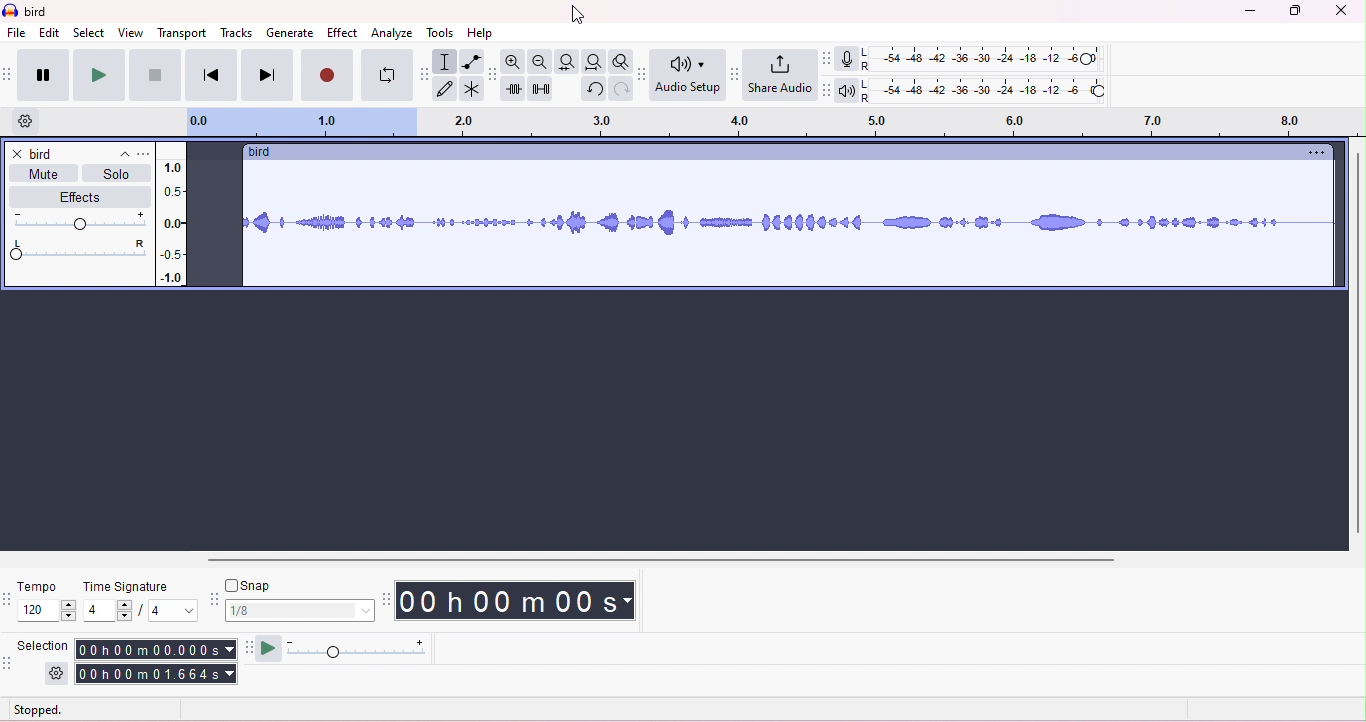 This screenshot has height=722, width=1366. I want to click on playback meter, so click(846, 90).